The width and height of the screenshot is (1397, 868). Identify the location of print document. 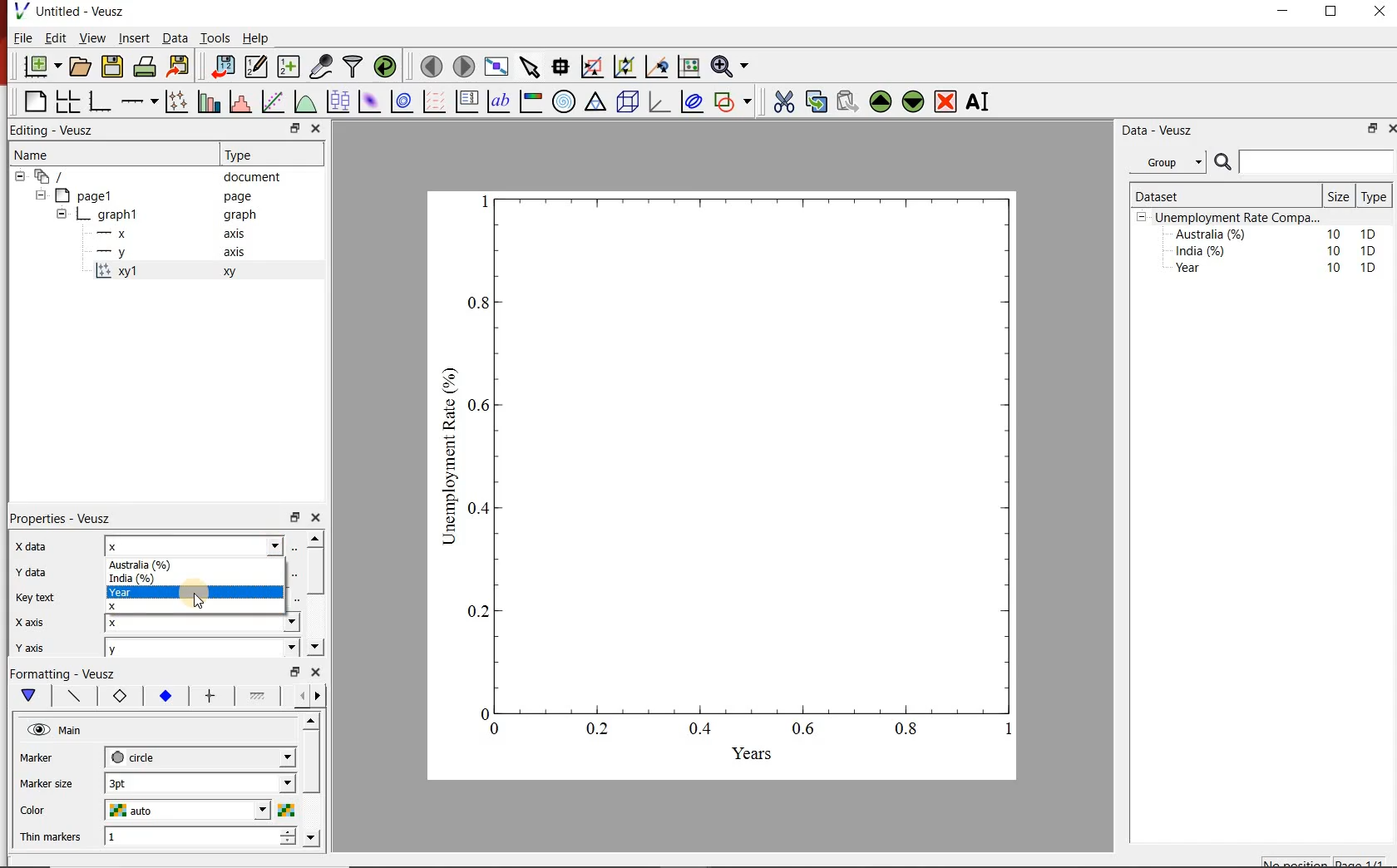
(145, 65).